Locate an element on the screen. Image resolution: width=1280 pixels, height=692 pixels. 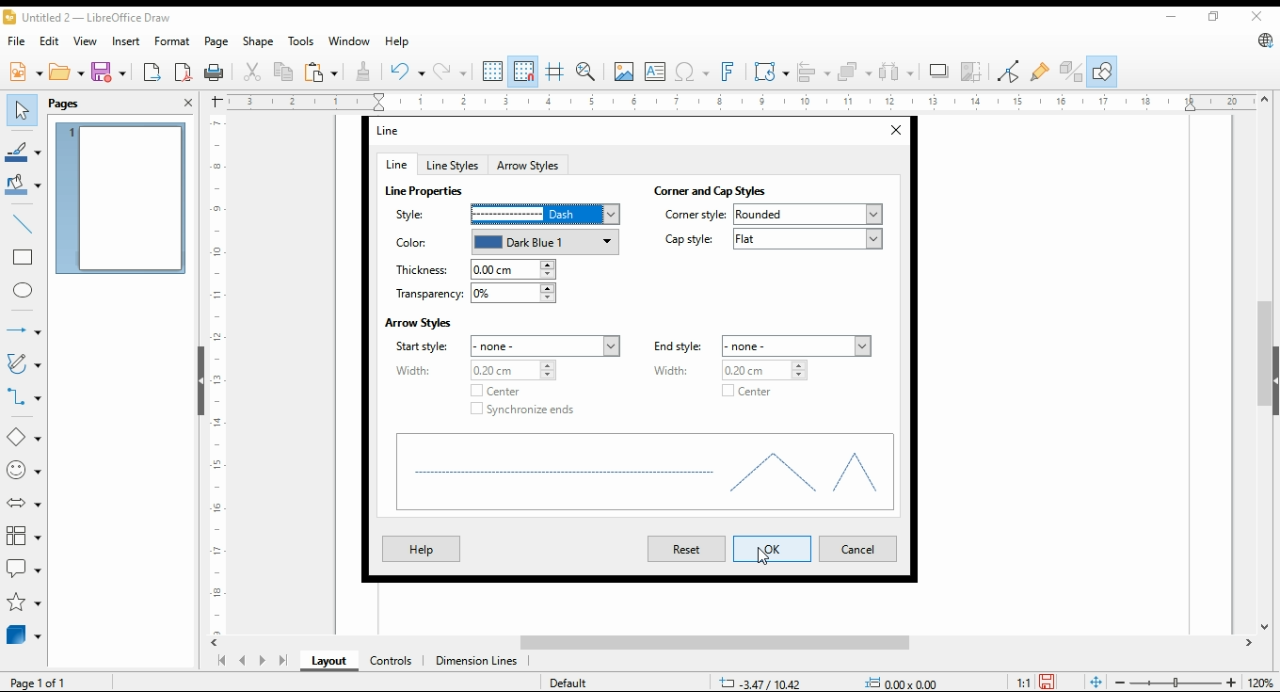
ellipse is located at coordinates (24, 291).